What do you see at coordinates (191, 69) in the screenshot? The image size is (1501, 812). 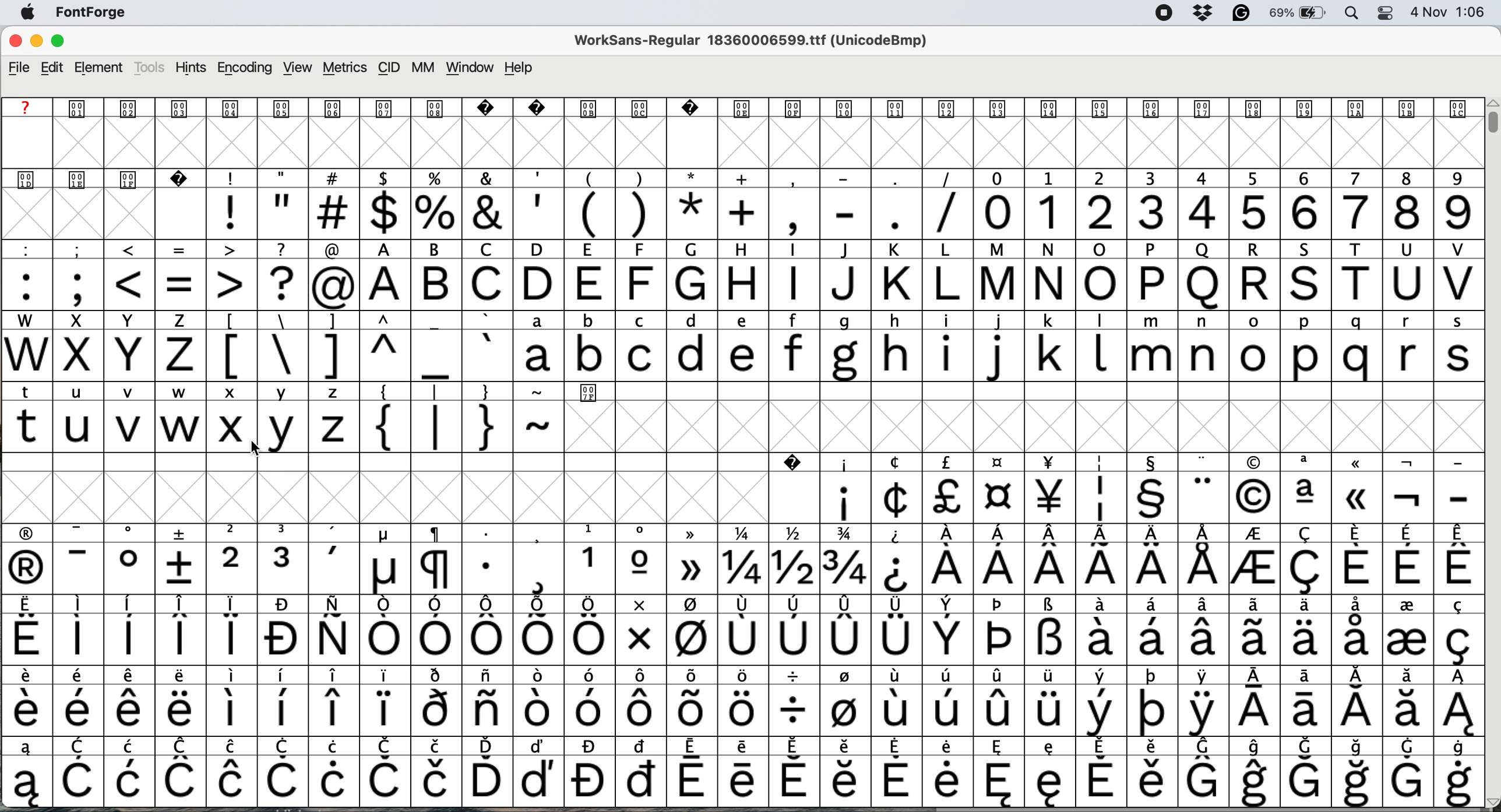 I see `hints` at bounding box center [191, 69].